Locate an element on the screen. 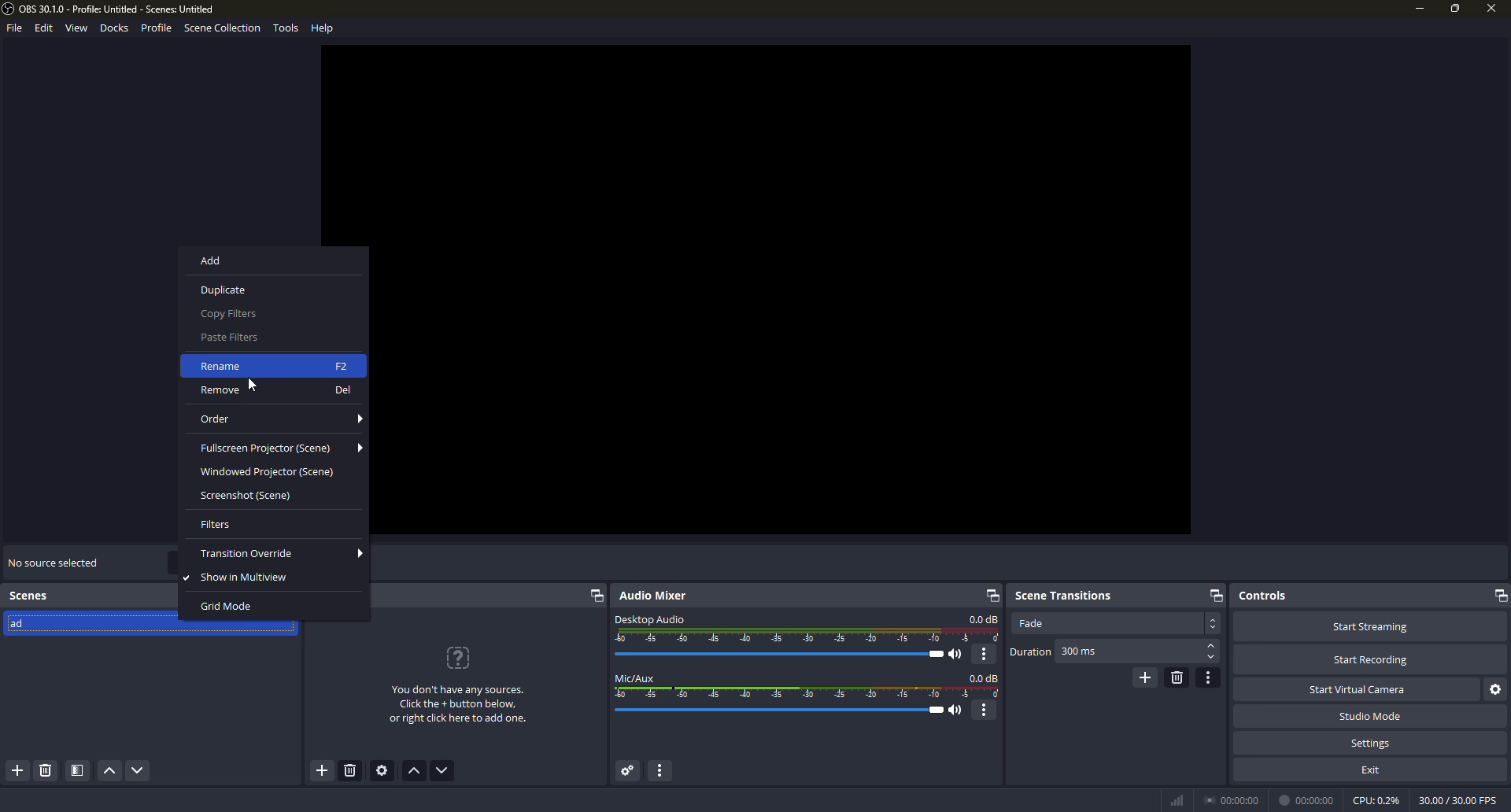 The width and height of the screenshot is (1511, 812). volume is located at coordinates (785, 654).